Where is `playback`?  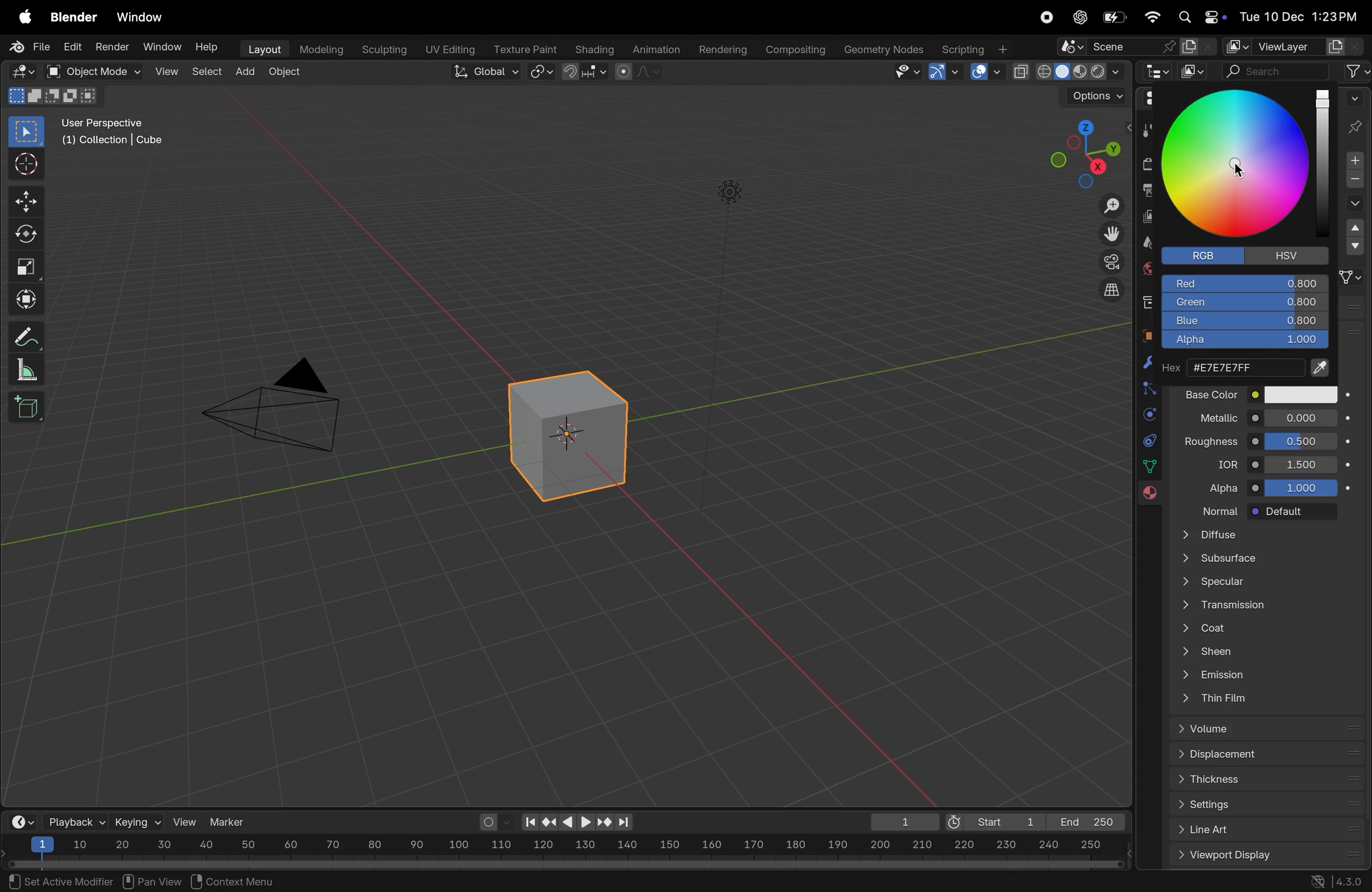
playback is located at coordinates (74, 821).